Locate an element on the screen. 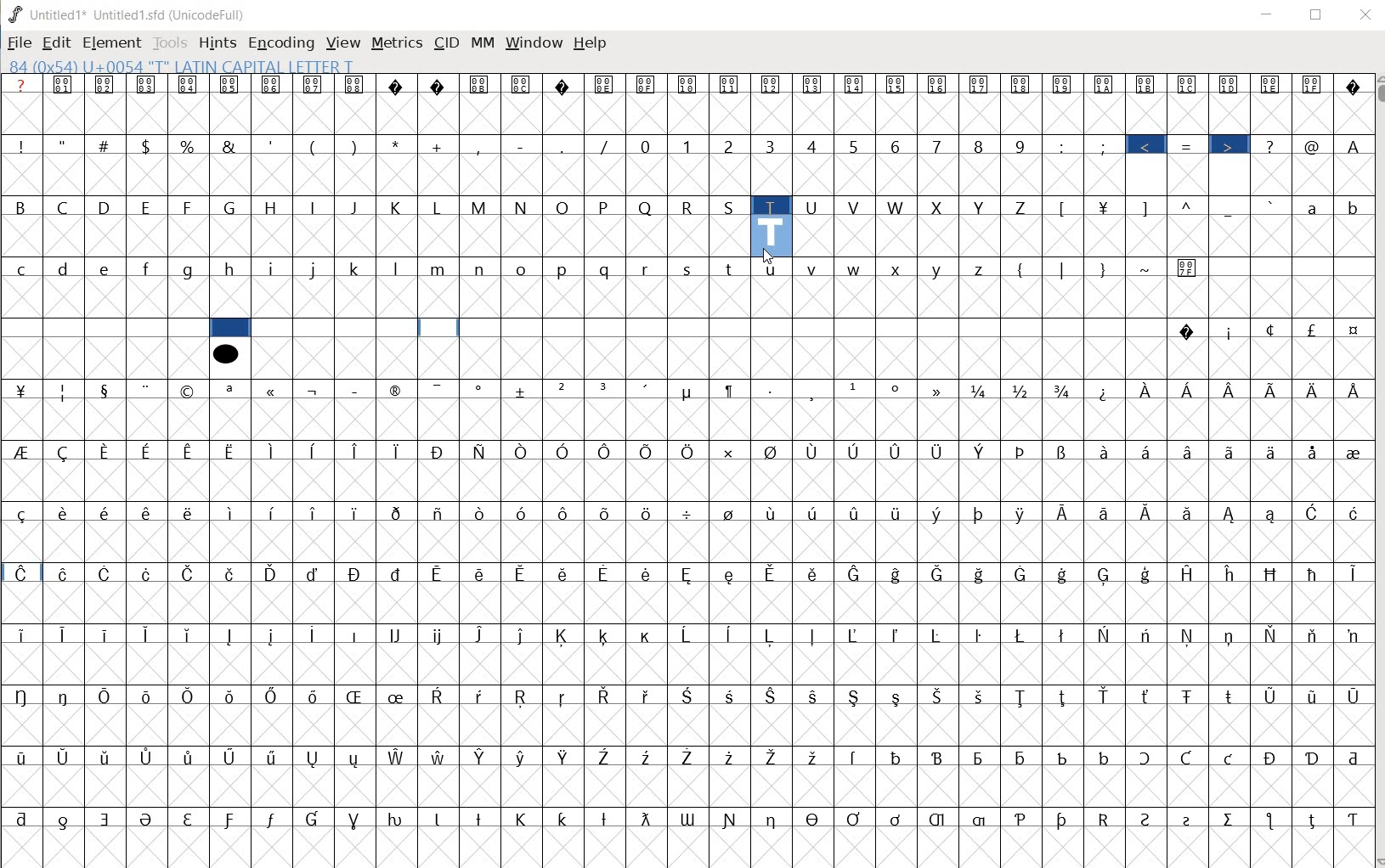 The height and width of the screenshot is (868, 1385). Symbol is located at coordinates (1105, 206).